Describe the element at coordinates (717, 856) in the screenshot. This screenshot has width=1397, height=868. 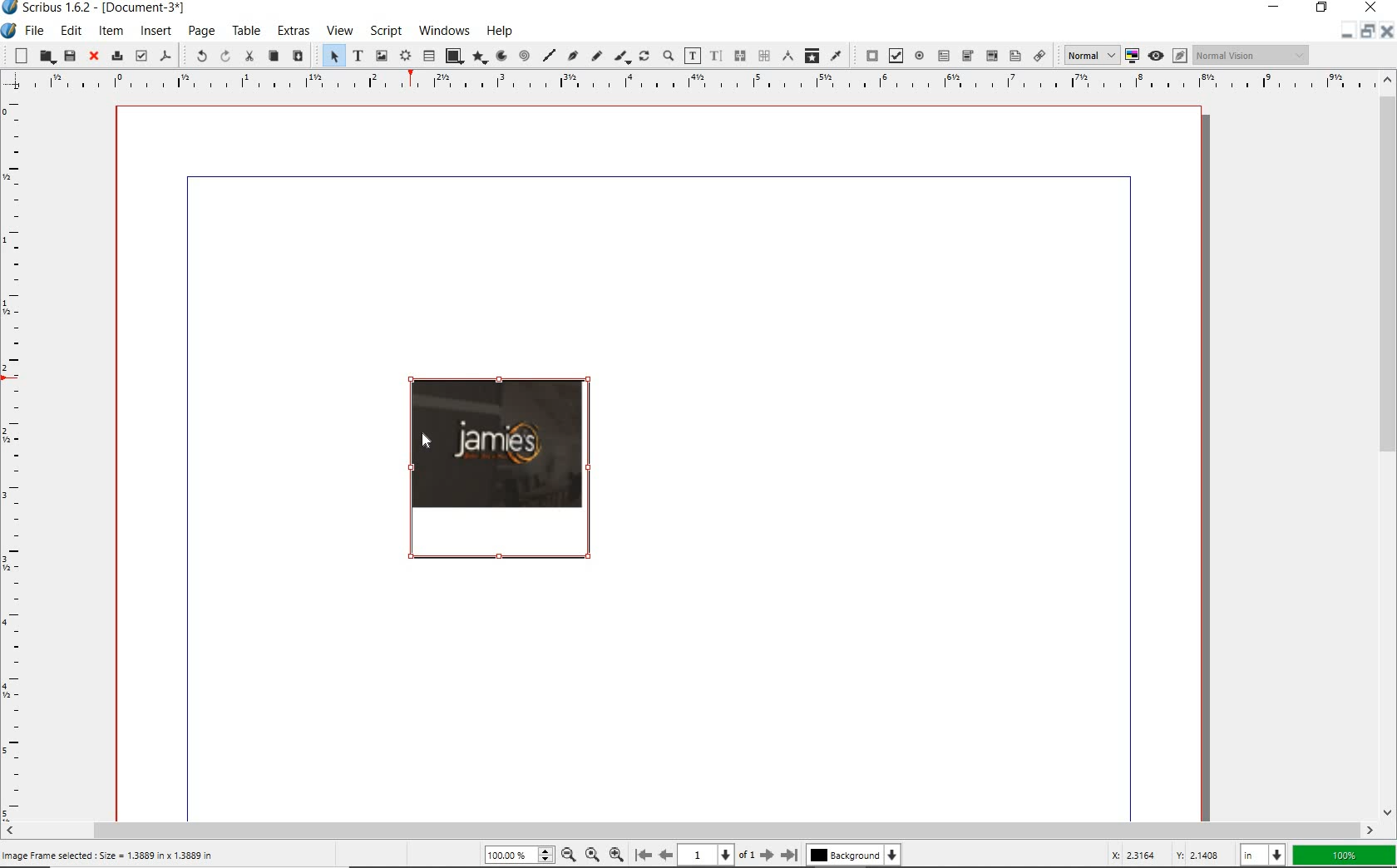
I see `current page` at that location.